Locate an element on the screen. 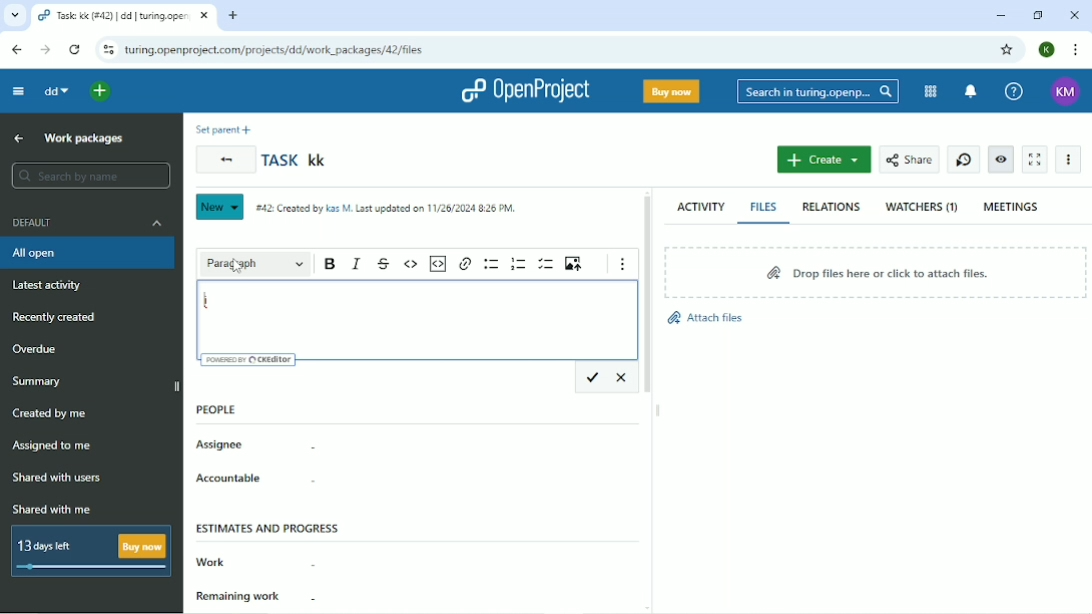 This screenshot has height=614, width=1092. More is located at coordinates (1070, 159).